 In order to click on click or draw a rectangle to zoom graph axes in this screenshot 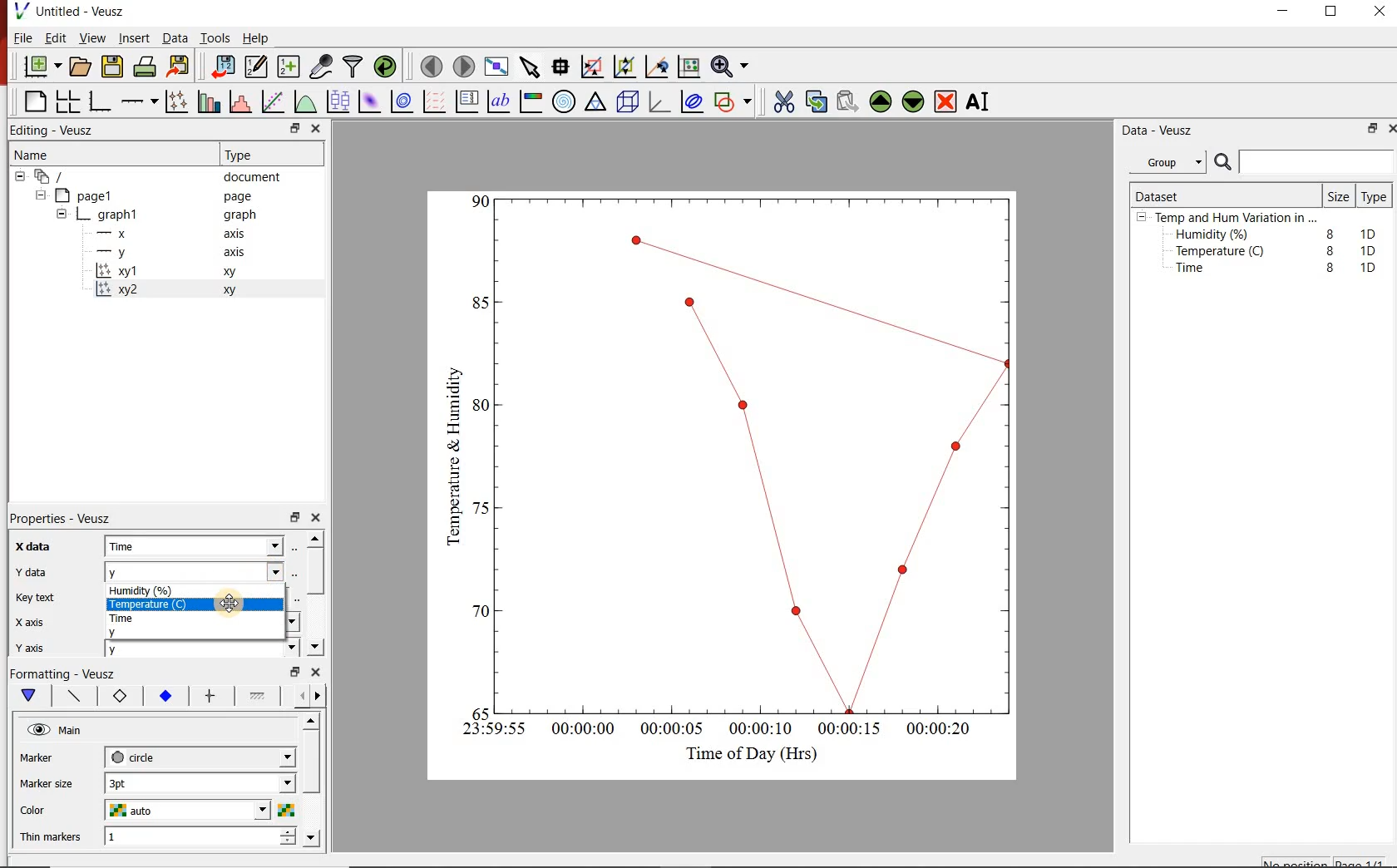, I will do `click(595, 67)`.